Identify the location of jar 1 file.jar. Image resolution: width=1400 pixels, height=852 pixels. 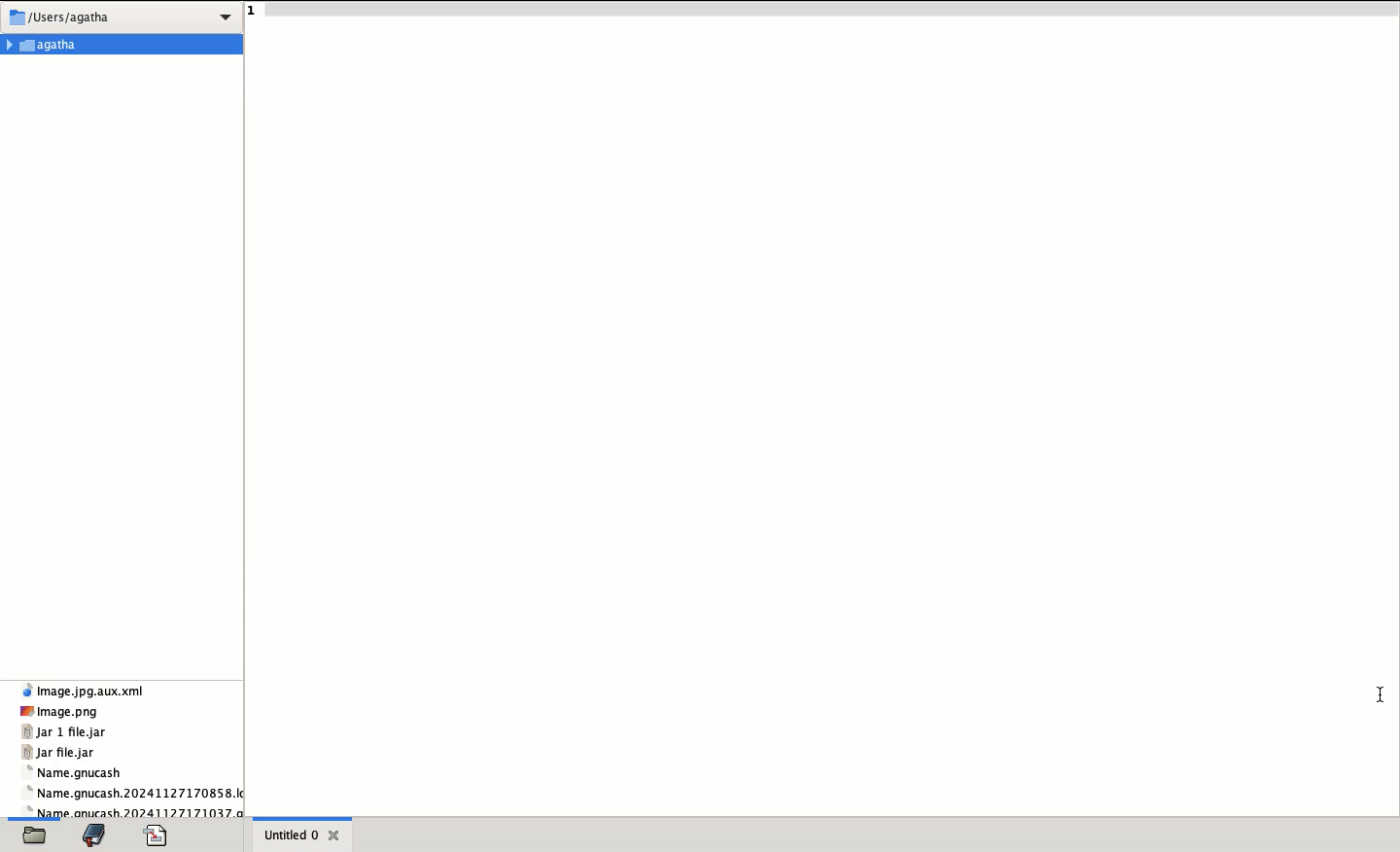
(64, 731).